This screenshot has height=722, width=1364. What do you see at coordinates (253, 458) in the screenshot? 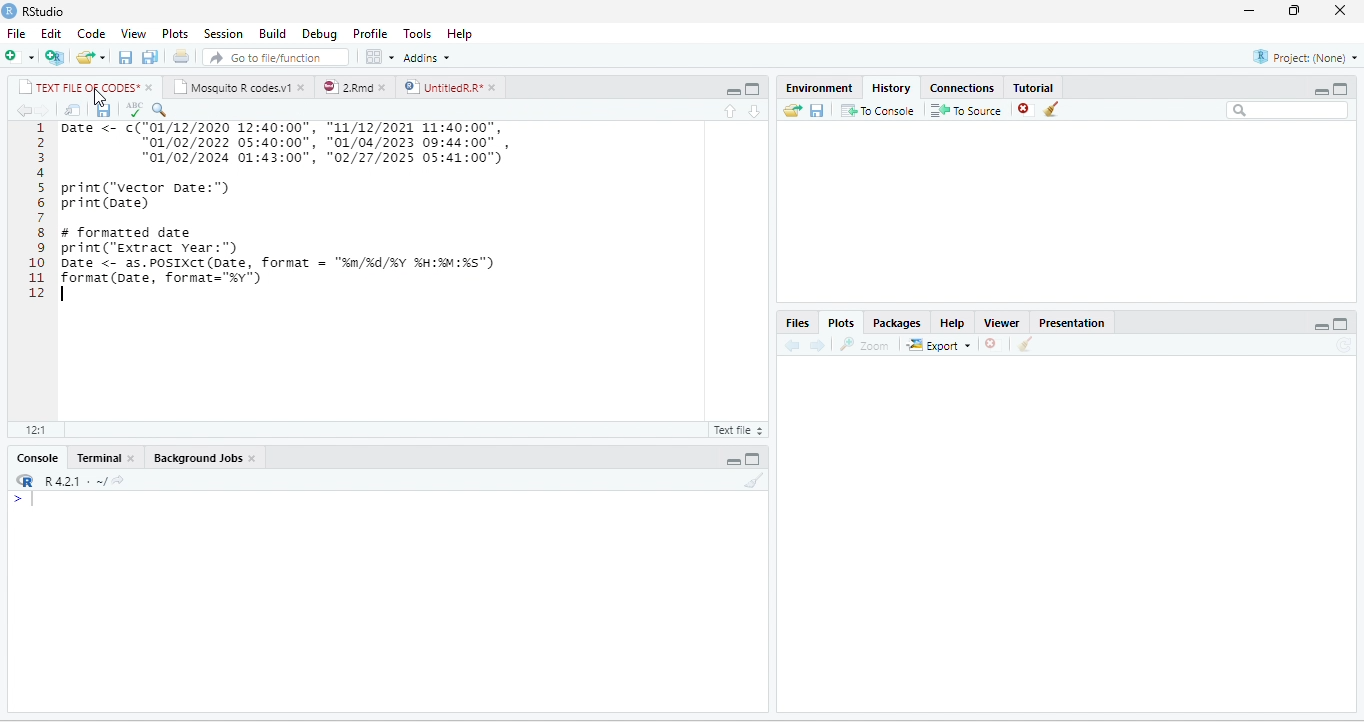
I see `close` at bounding box center [253, 458].